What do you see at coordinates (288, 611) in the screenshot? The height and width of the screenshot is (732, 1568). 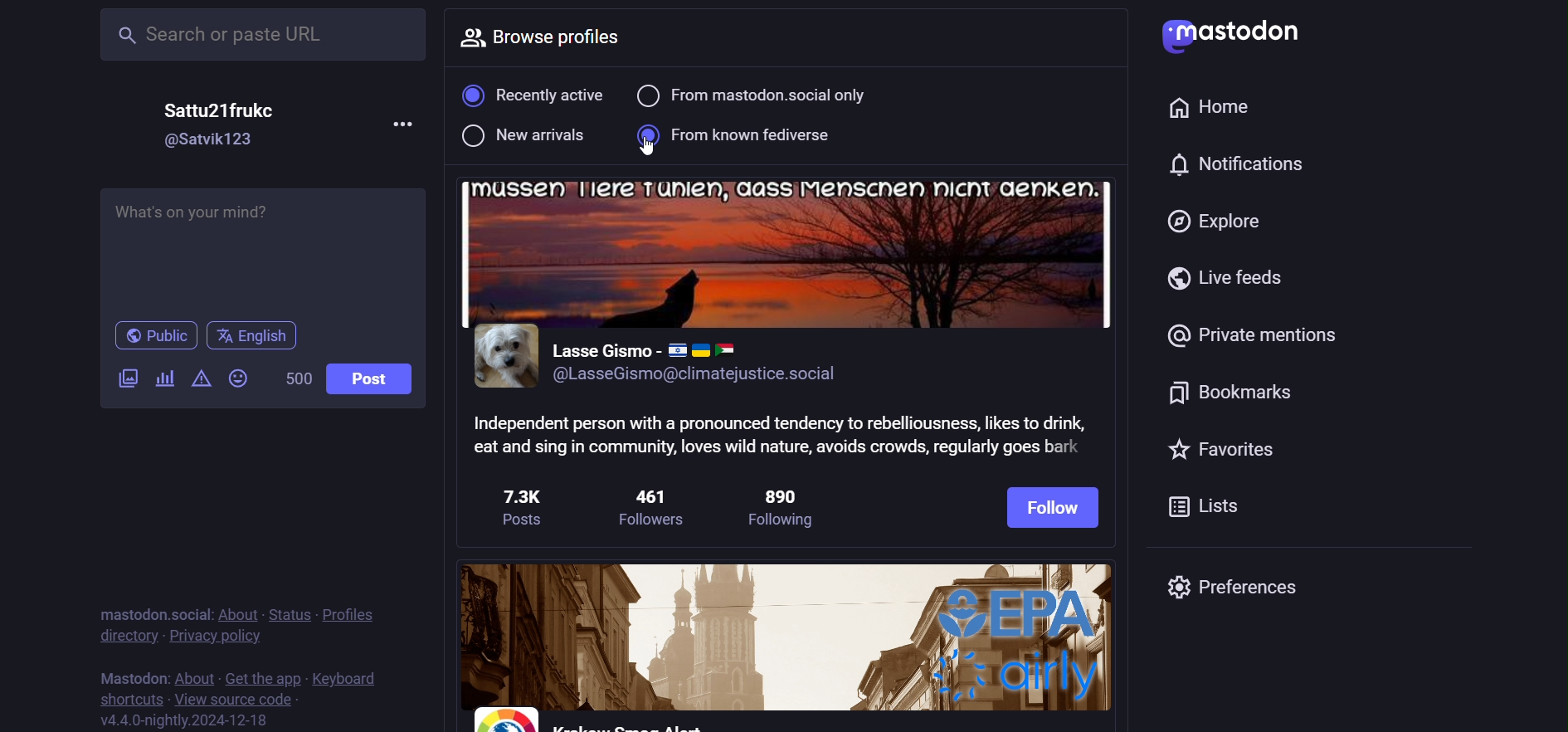 I see `status` at bounding box center [288, 611].